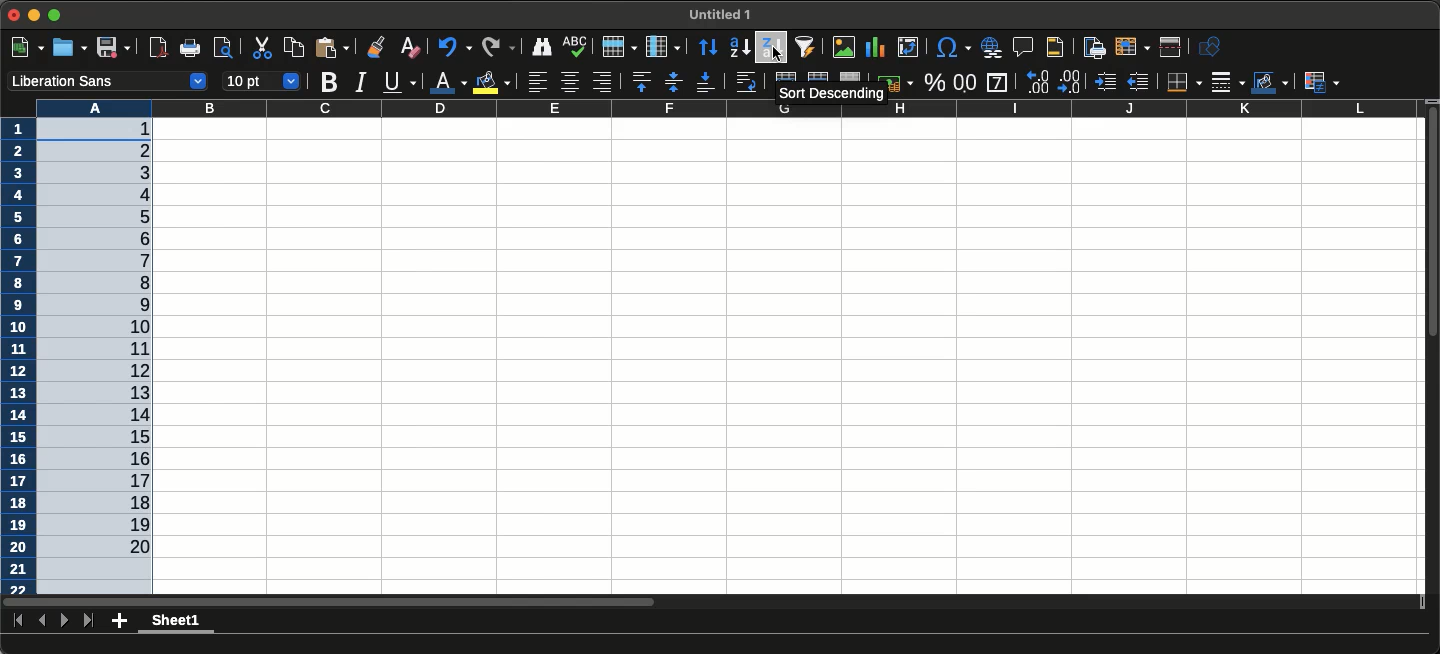 This screenshot has height=654, width=1440. I want to click on Undo, so click(455, 46).